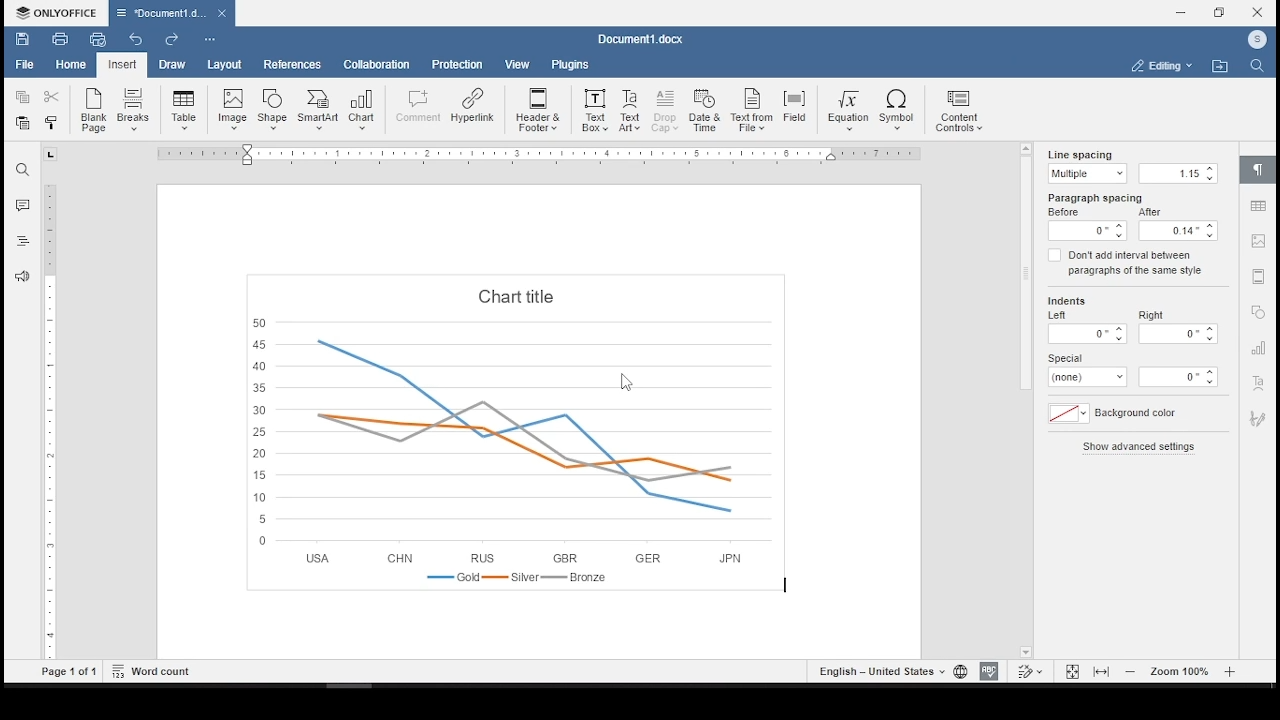  Describe the element at coordinates (173, 64) in the screenshot. I see `draw` at that location.